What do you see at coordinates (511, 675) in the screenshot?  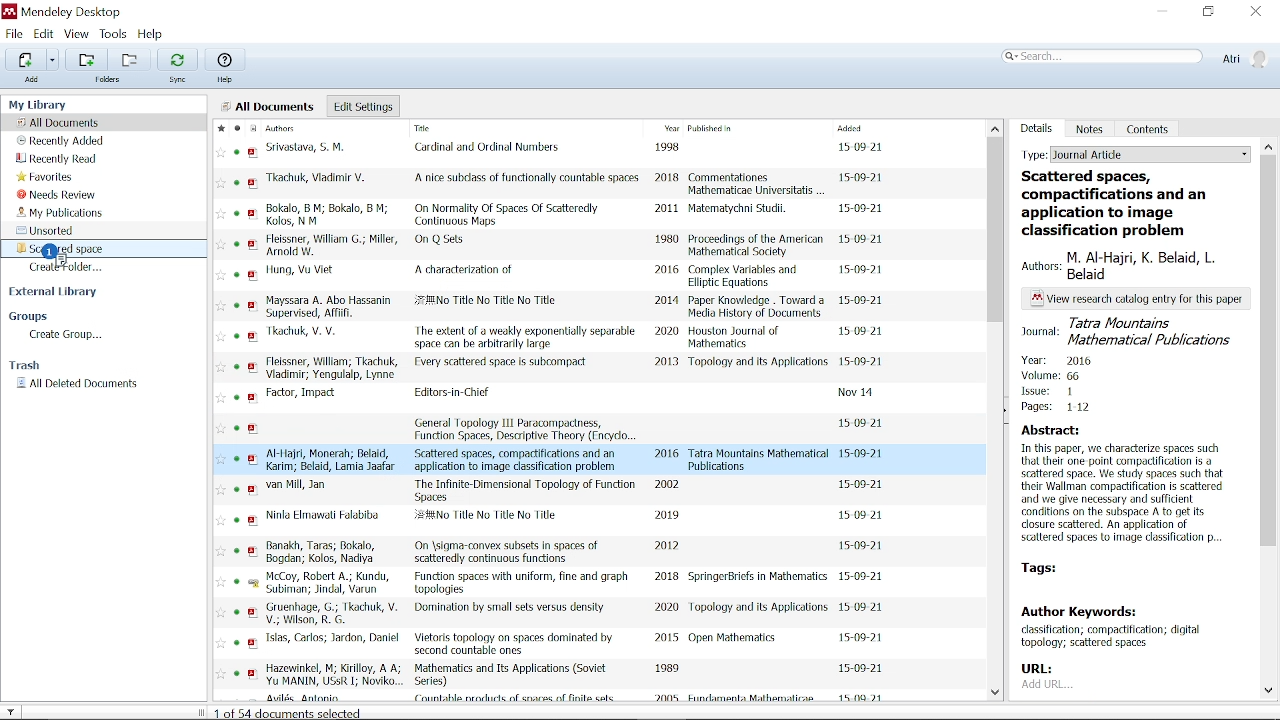 I see `title` at bounding box center [511, 675].